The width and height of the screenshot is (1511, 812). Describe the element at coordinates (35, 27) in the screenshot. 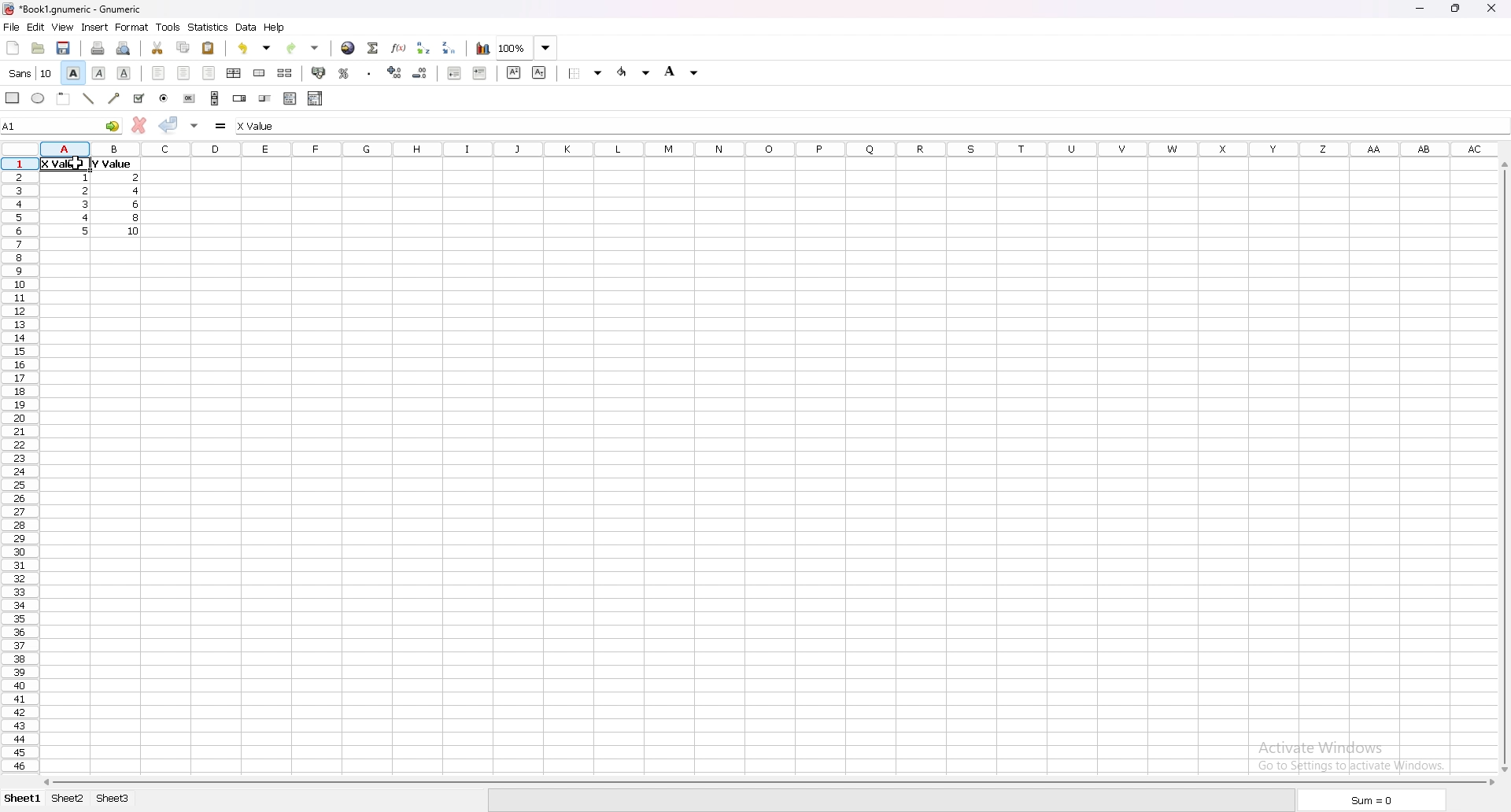

I see `edit` at that location.